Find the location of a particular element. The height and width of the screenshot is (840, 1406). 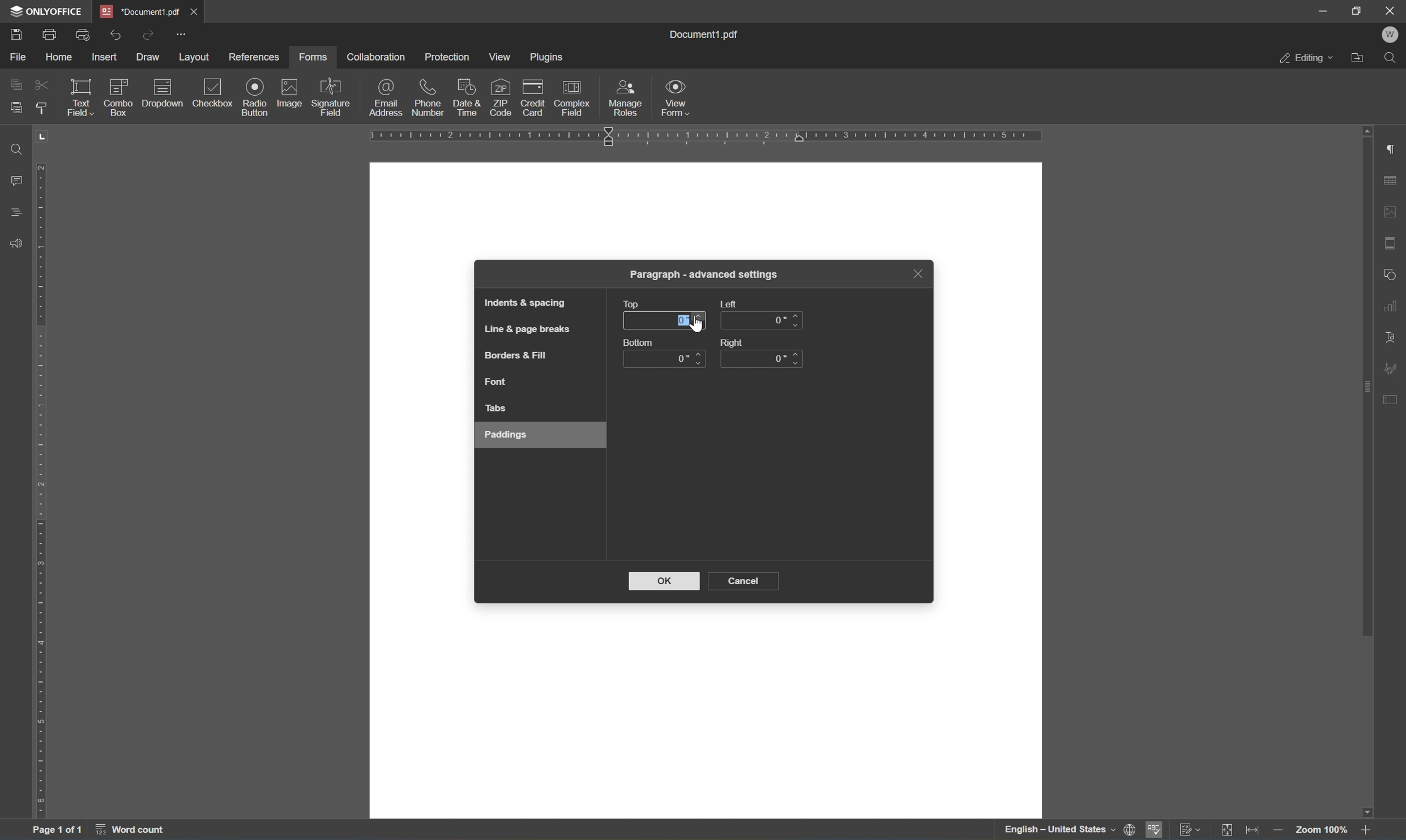

plugins is located at coordinates (549, 58).